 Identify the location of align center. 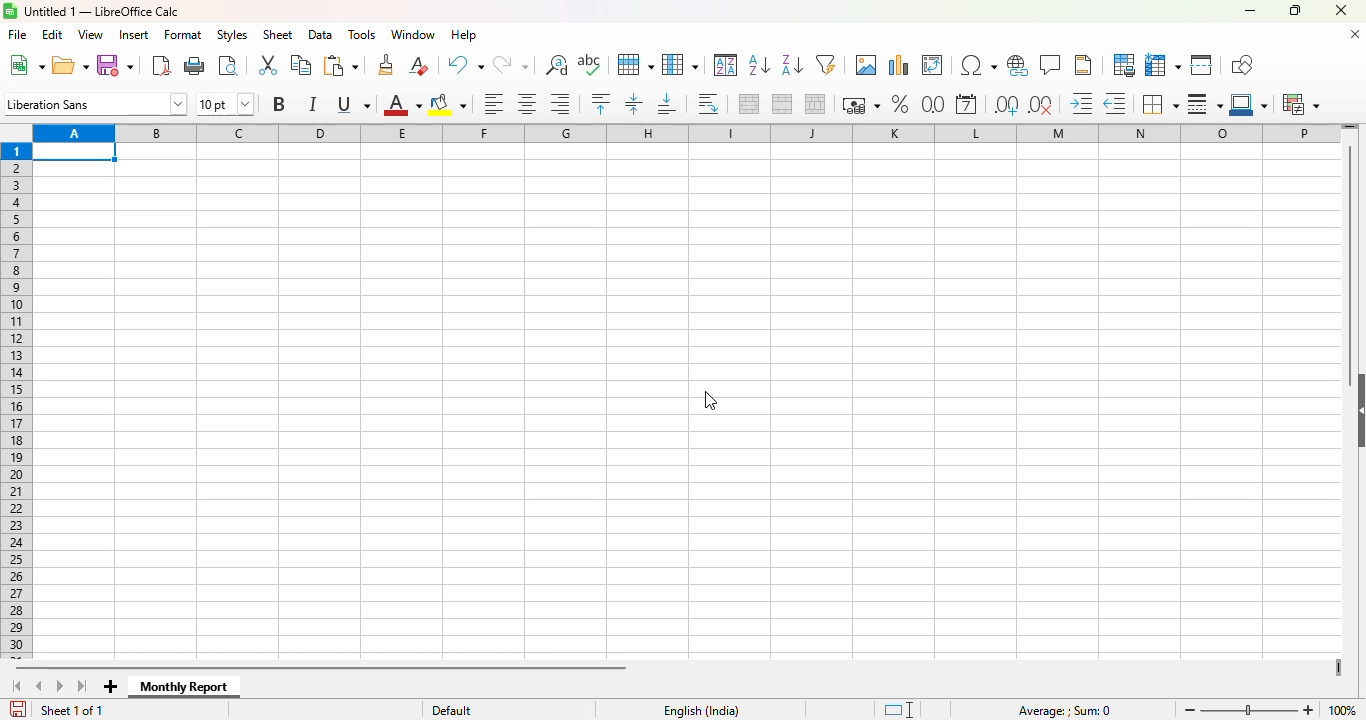
(528, 104).